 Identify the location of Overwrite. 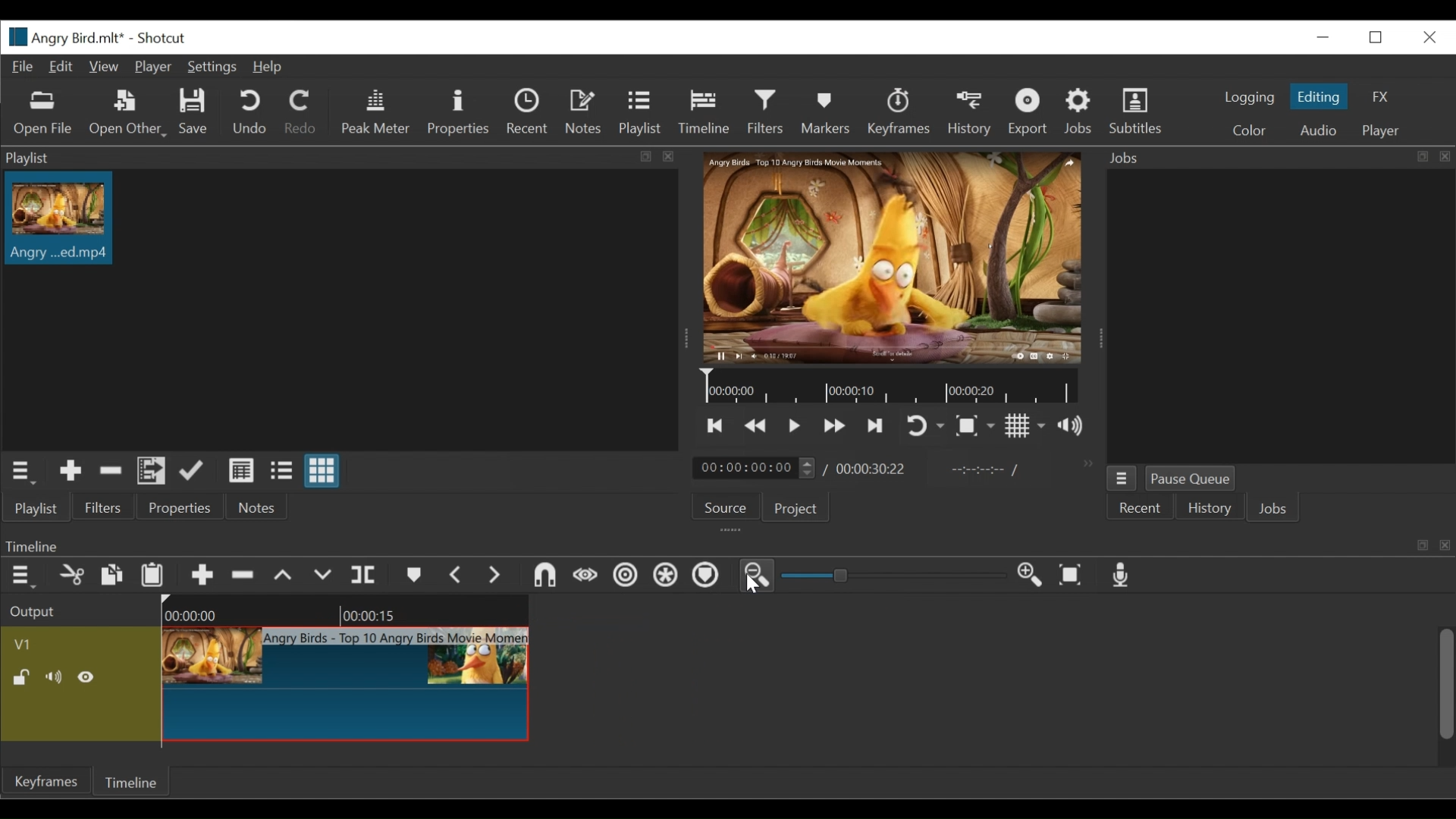
(325, 575).